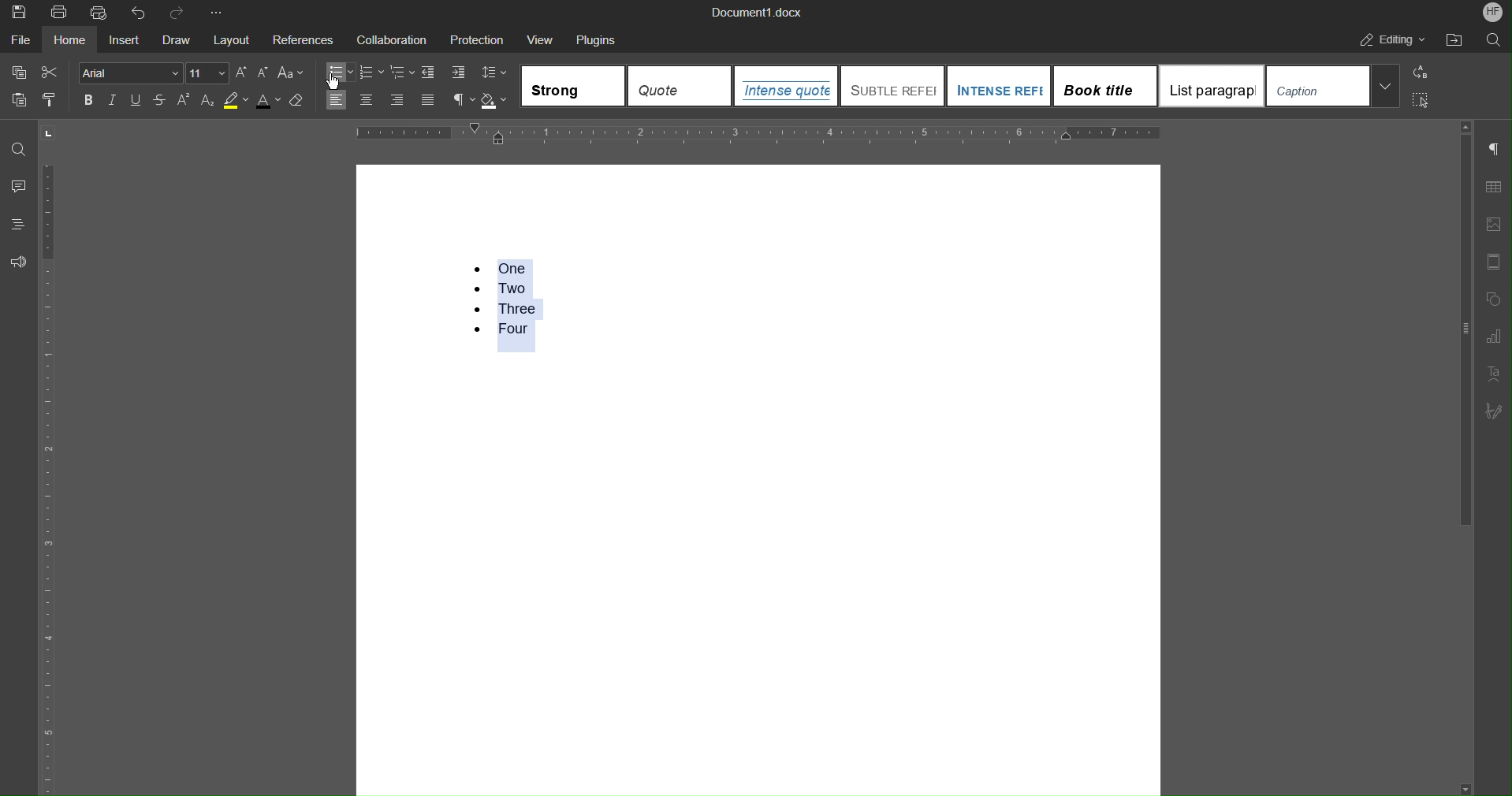  Describe the element at coordinates (88, 101) in the screenshot. I see `Bold` at that location.